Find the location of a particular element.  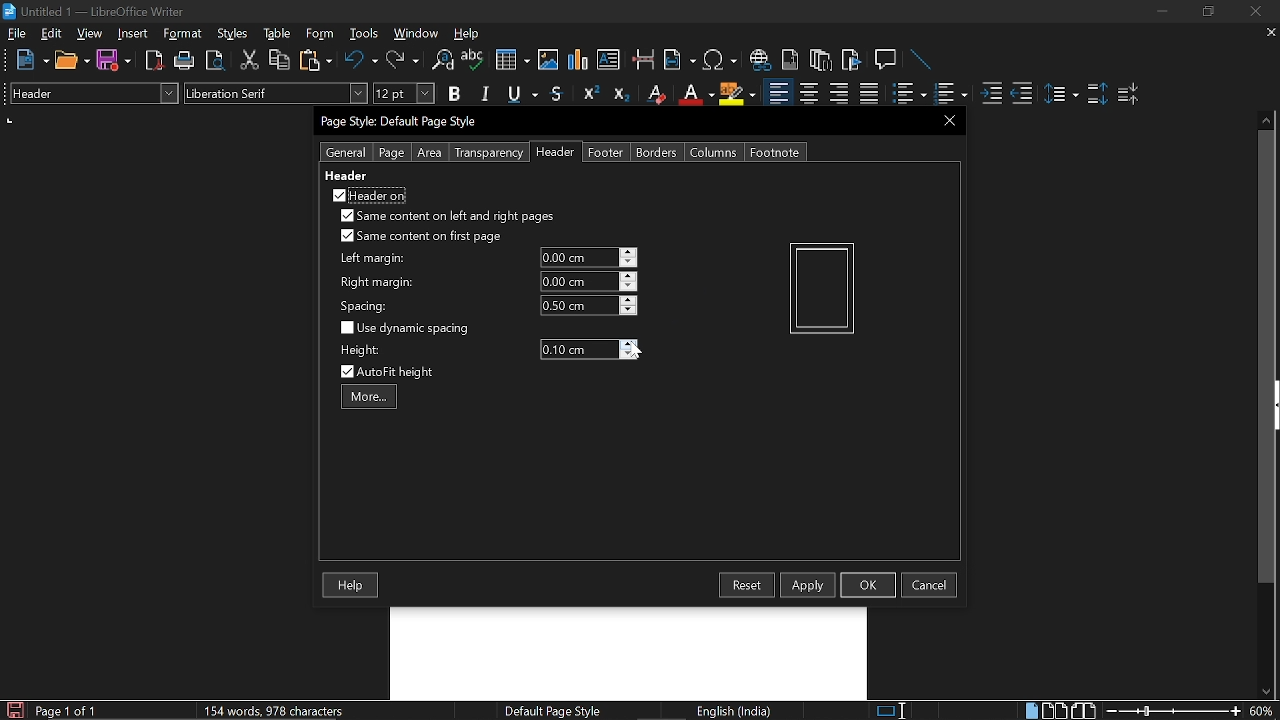

Find and replace is located at coordinates (441, 61).